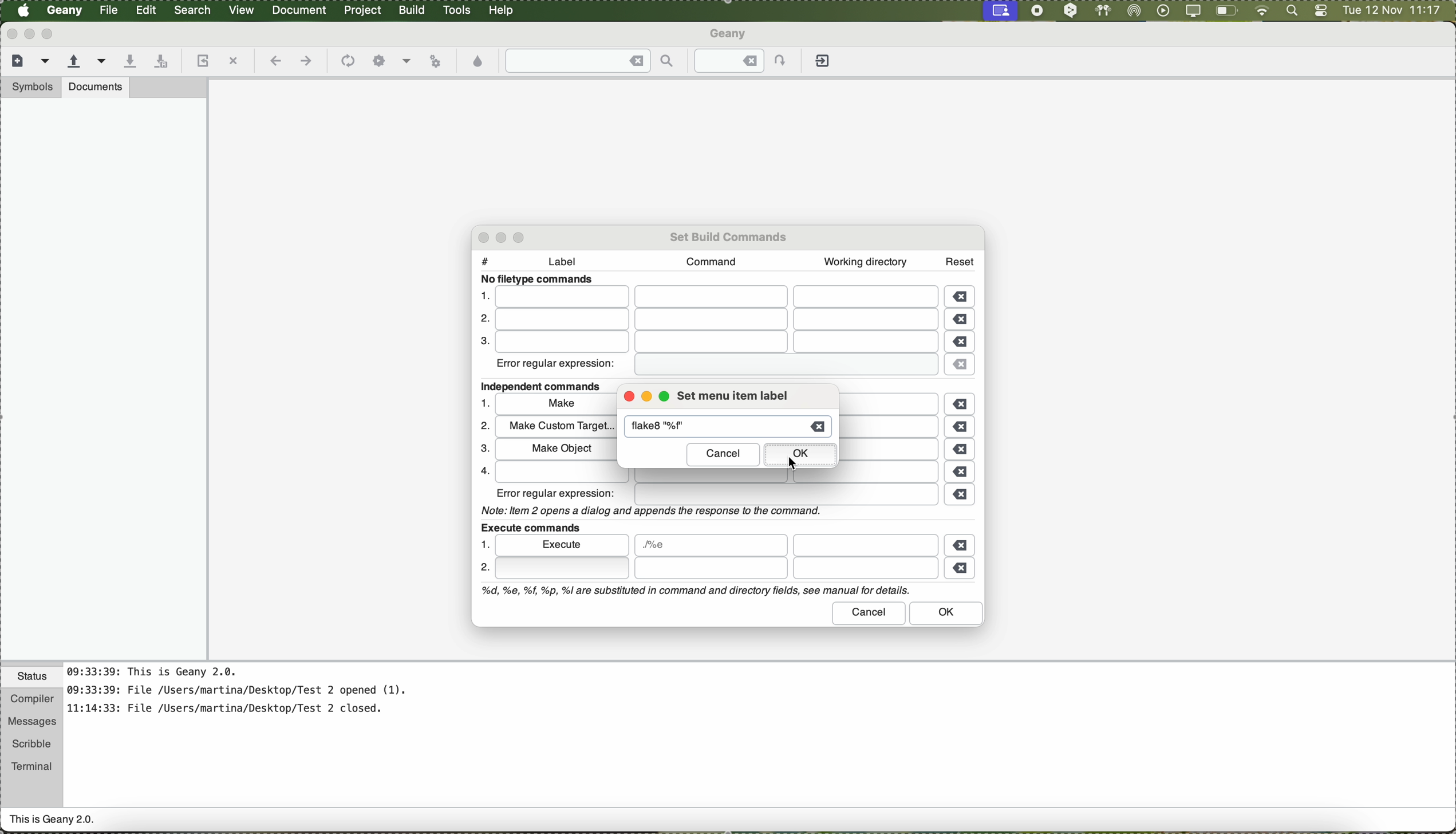  Describe the element at coordinates (129, 62) in the screenshot. I see `save the current file` at that location.